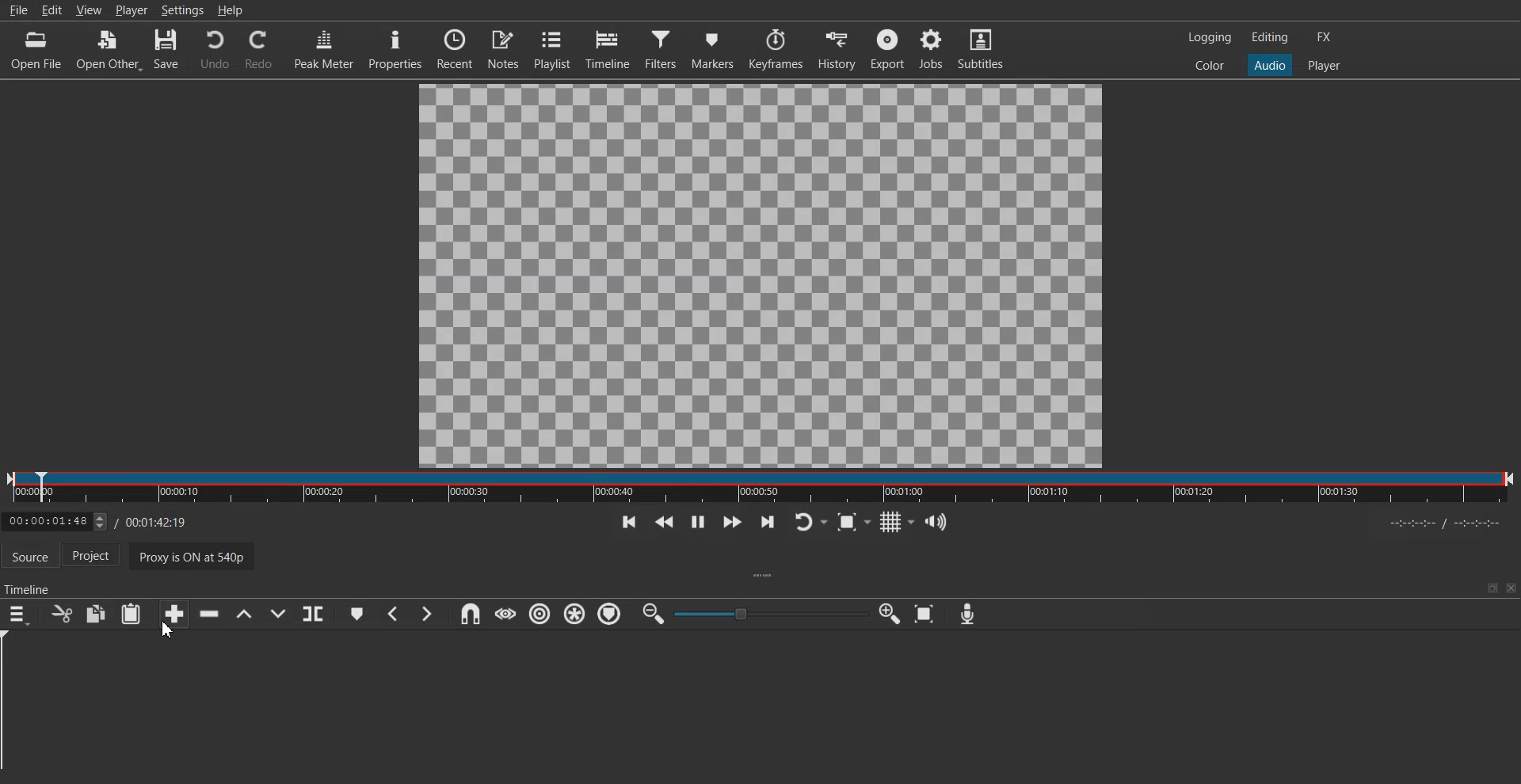  What do you see at coordinates (663, 48) in the screenshot?
I see `Filters` at bounding box center [663, 48].